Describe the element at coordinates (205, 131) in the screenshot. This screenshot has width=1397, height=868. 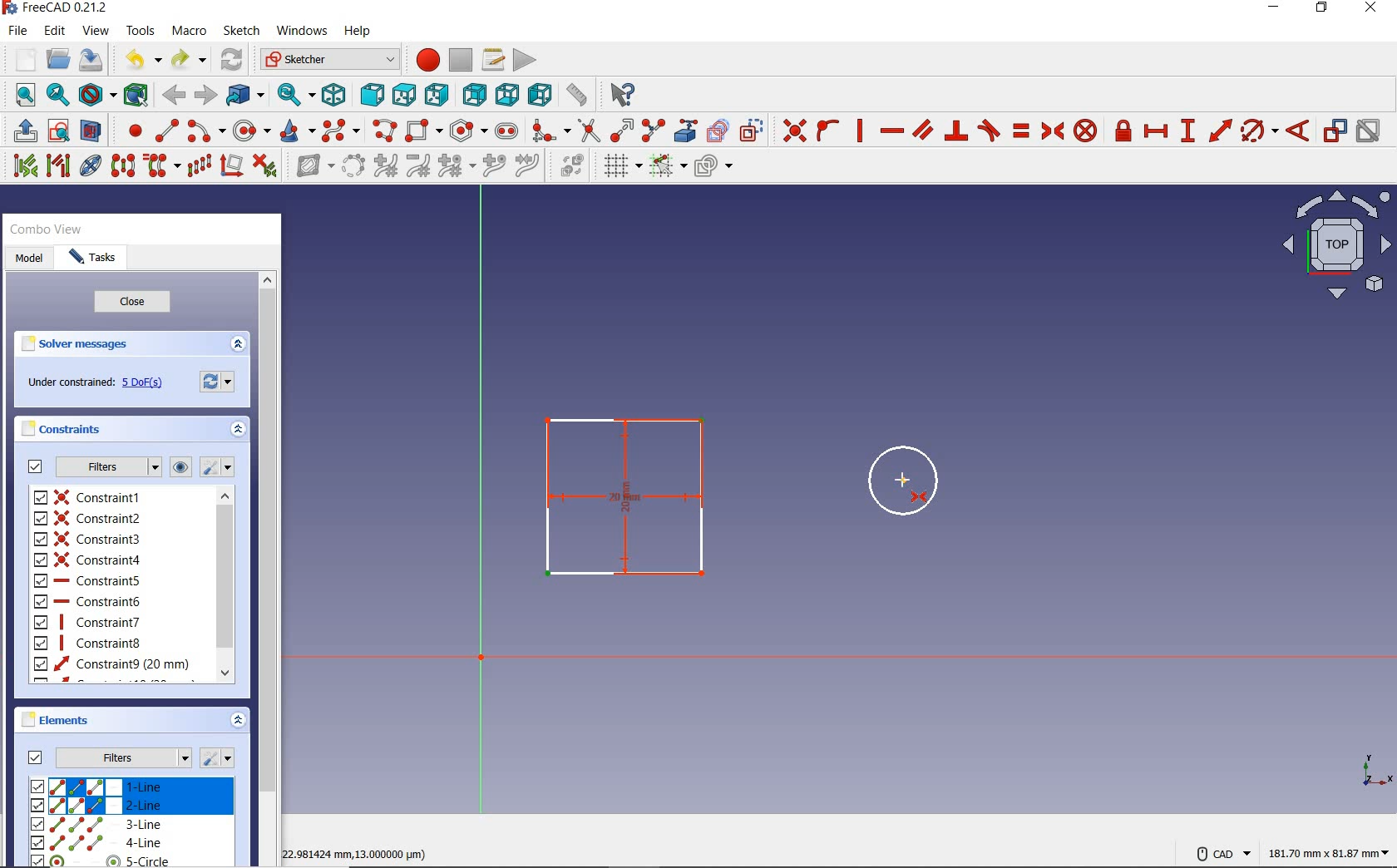
I see `create arc` at that location.